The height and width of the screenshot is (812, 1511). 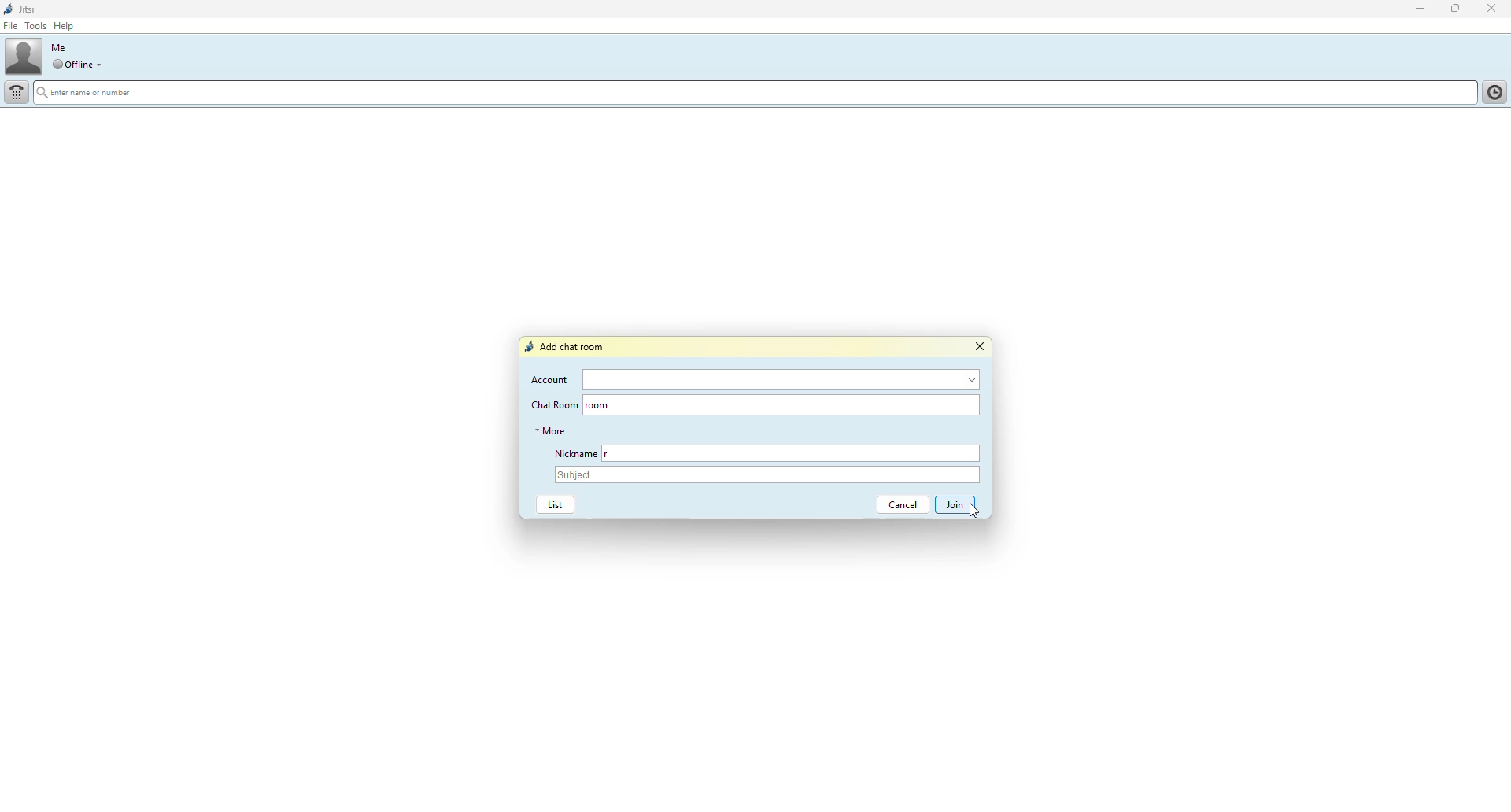 I want to click on chat room, so click(x=552, y=404).